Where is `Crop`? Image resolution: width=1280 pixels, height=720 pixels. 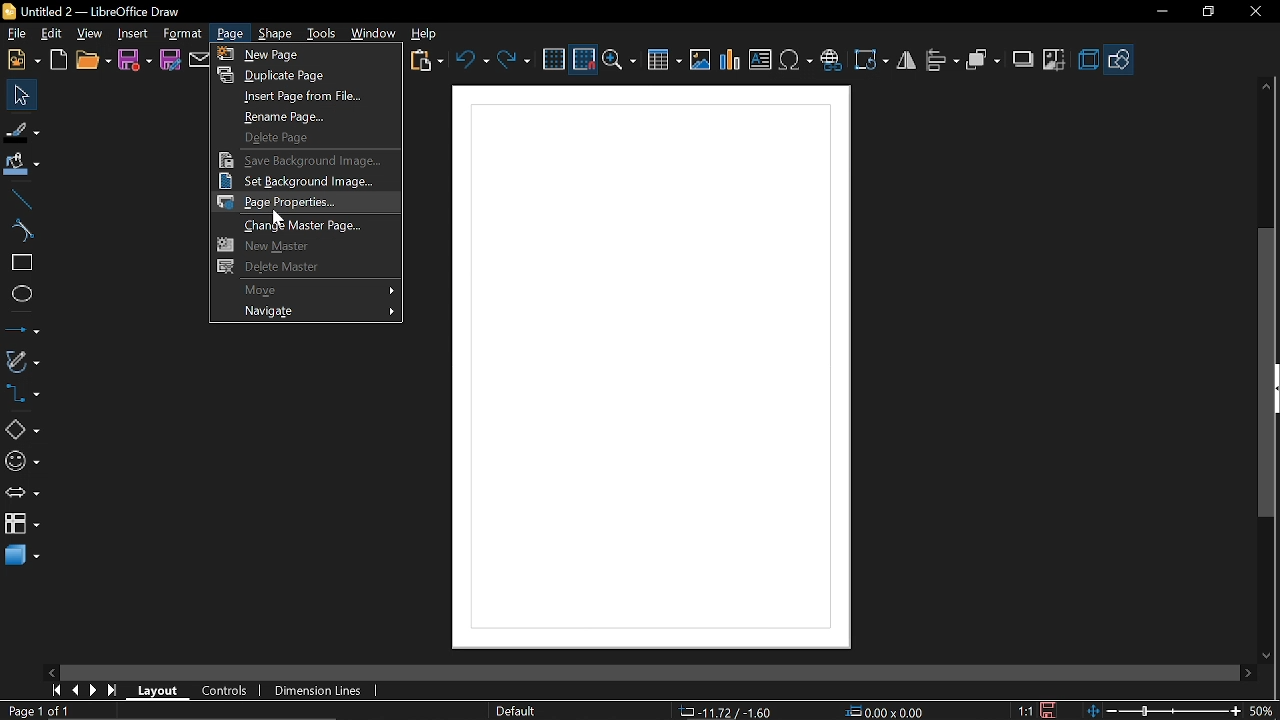
Crop is located at coordinates (1054, 61).